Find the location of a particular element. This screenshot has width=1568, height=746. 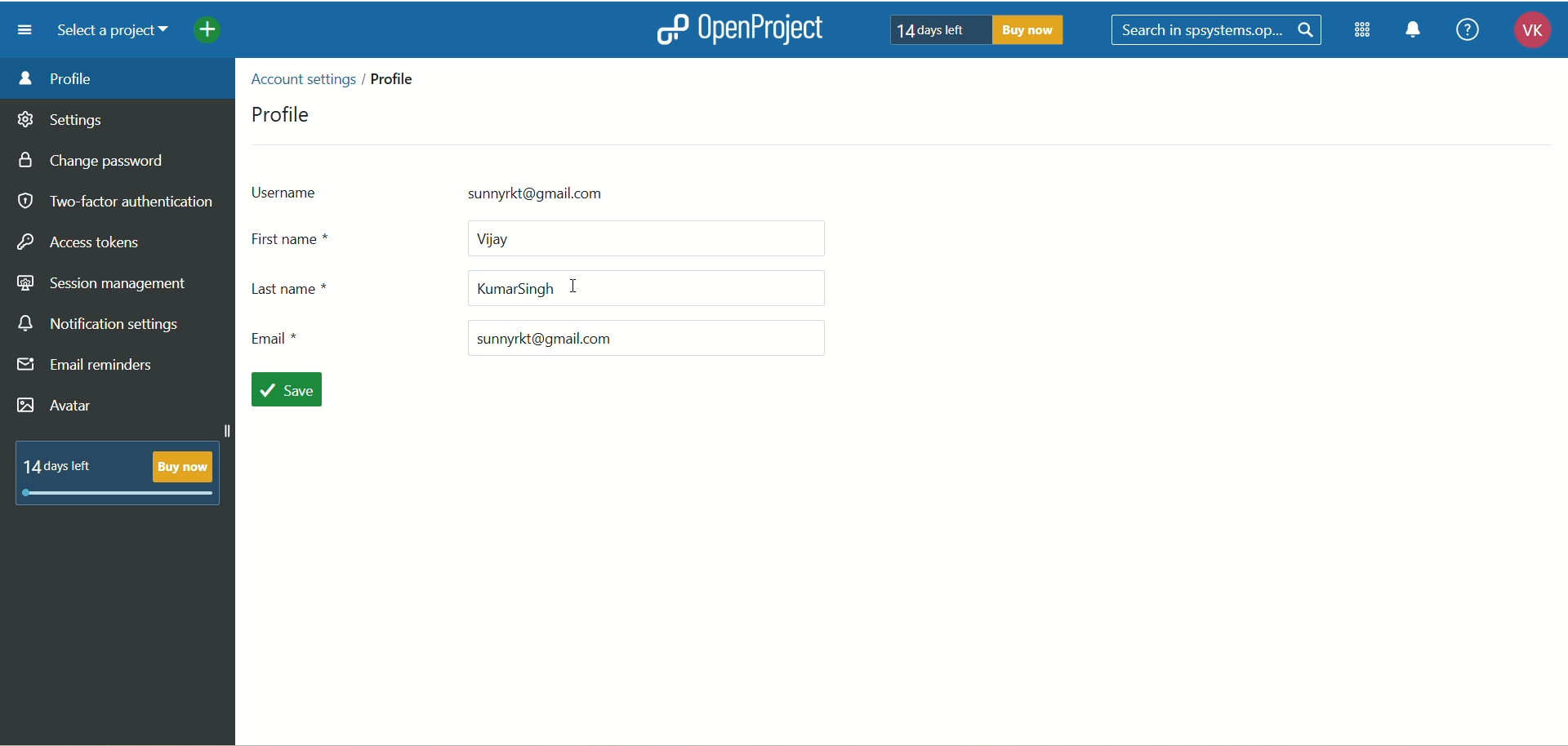

account is located at coordinates (1526, 33).